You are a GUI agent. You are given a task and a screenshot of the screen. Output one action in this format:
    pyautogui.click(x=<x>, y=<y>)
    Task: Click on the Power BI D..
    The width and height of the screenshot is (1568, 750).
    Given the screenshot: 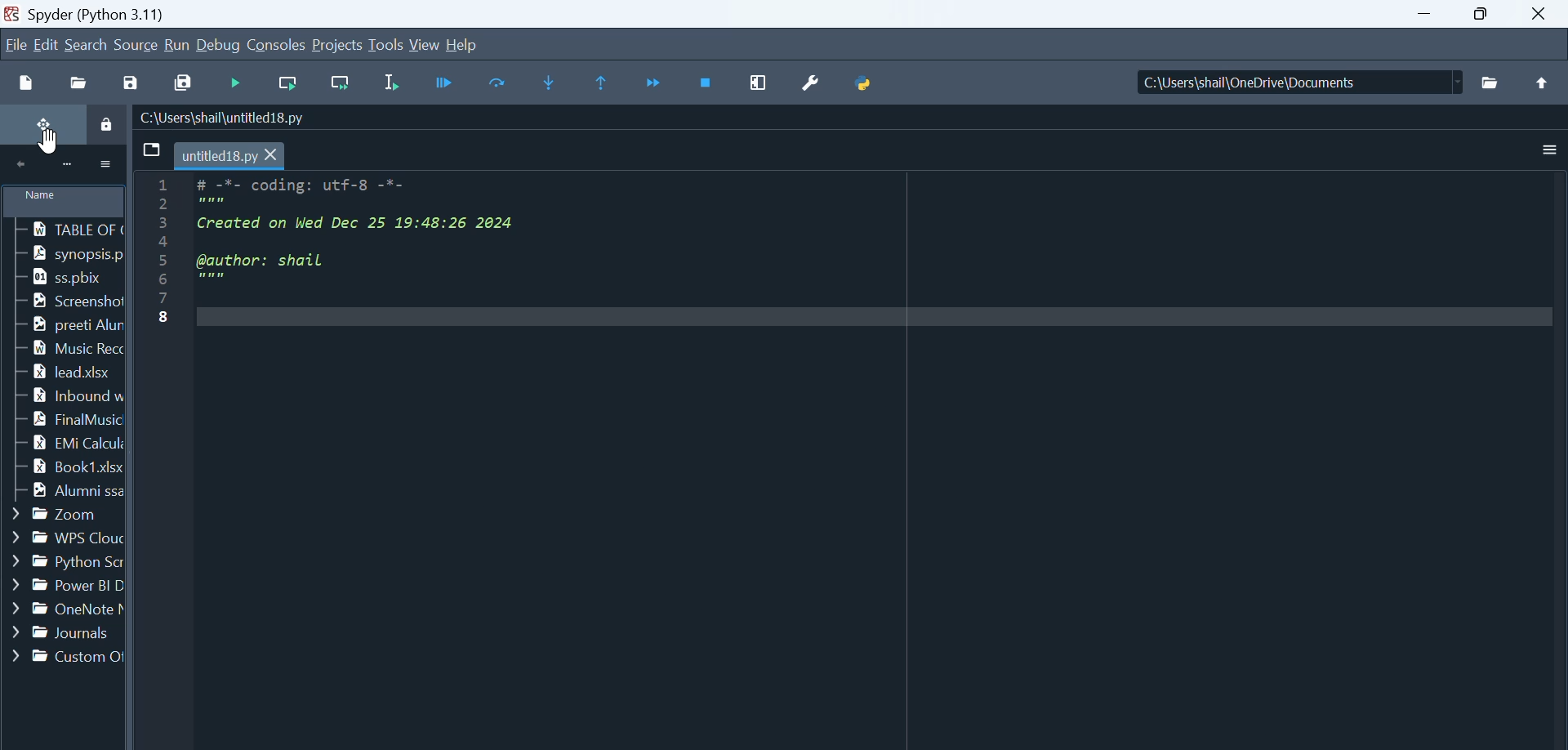 What is the action you would take?
    pyautogui.click(x=63, y=586)
    